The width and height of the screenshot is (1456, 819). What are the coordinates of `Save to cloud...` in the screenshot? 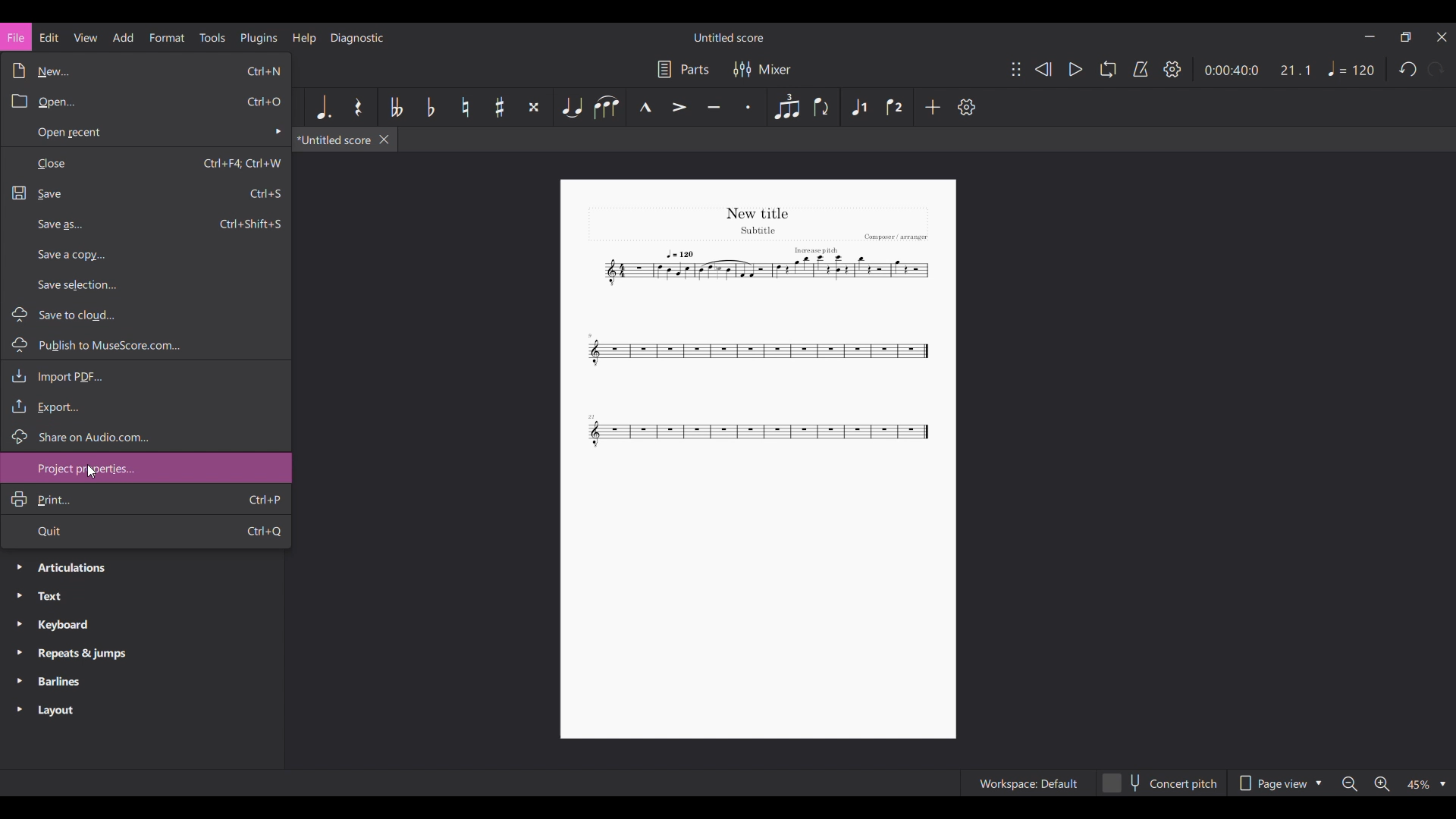 It's located at (146, 314).